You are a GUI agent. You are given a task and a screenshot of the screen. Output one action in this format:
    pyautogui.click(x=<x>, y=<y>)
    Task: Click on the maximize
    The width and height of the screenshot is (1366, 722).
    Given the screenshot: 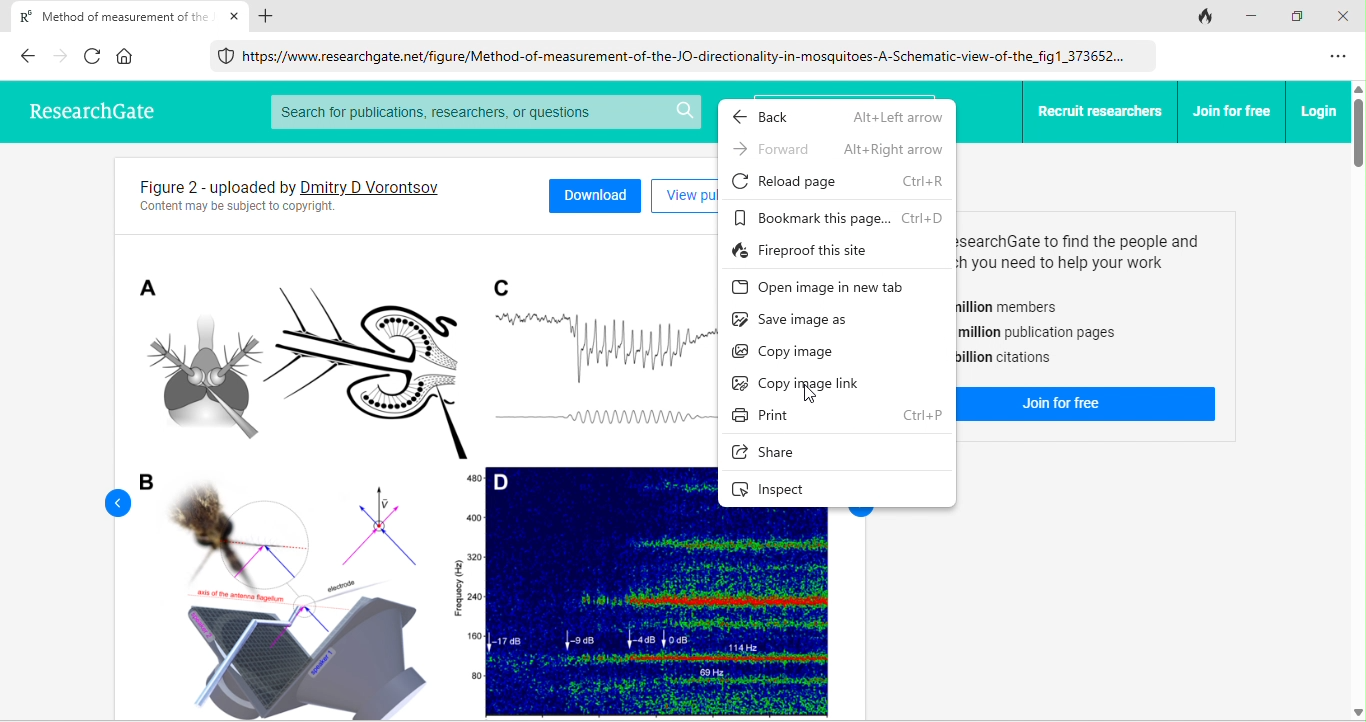 What is the action you would take?
    pyautogui.click(x=1302, y=17)
    